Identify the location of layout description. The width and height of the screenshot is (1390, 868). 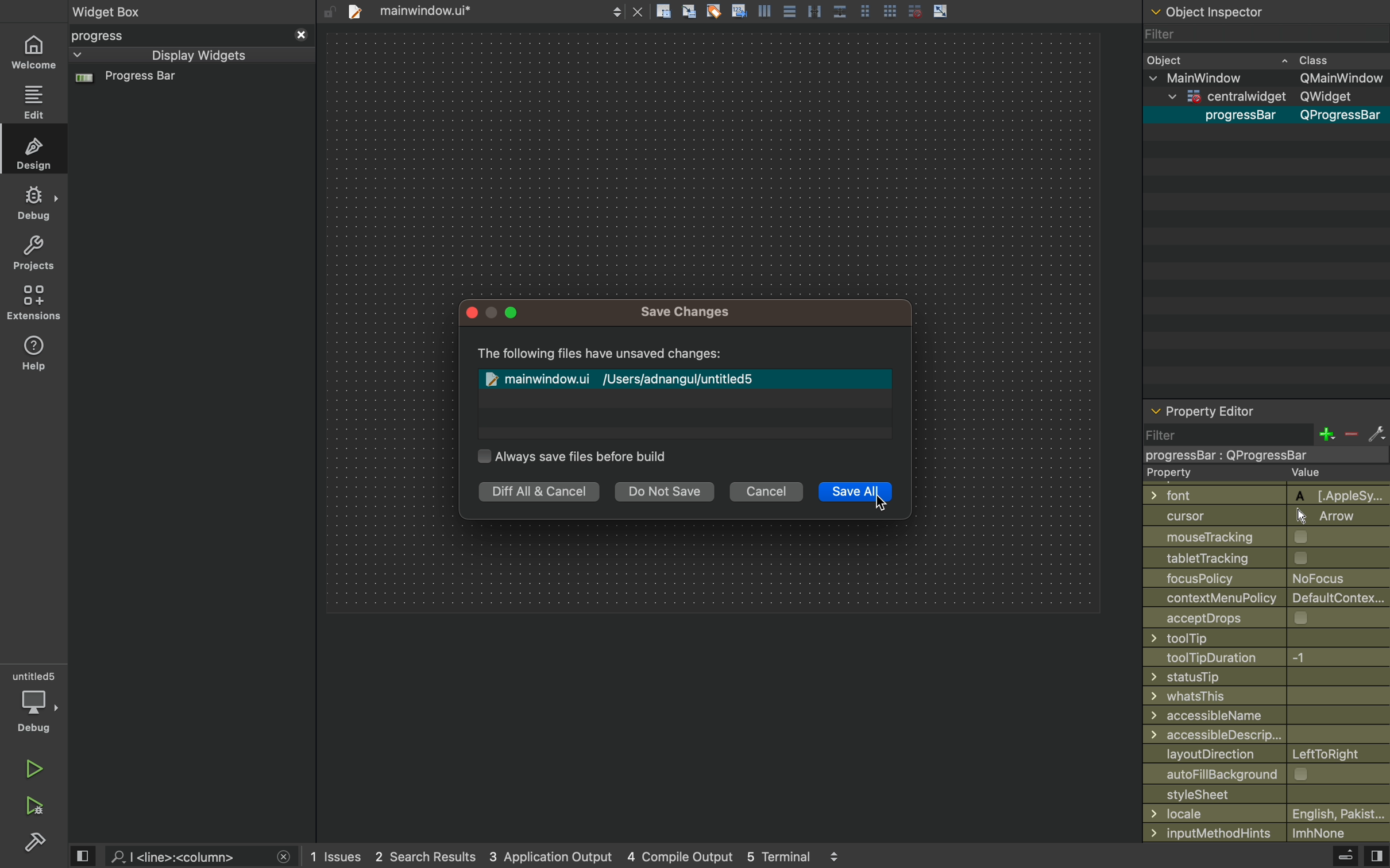
(1263, 754).